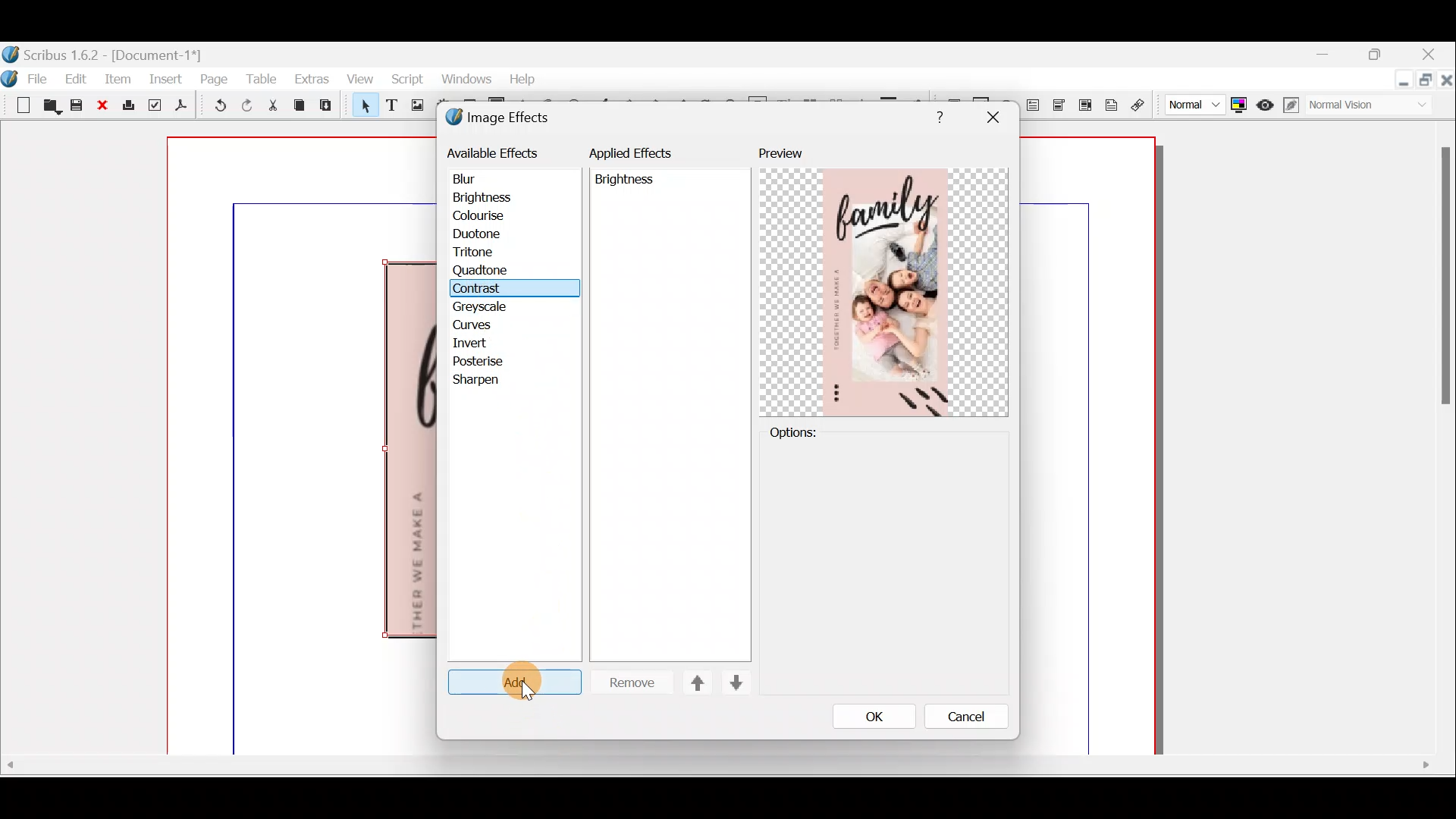  Describe the element at coordinates (406, 81) in the screenshot. I see `Script` at that location.